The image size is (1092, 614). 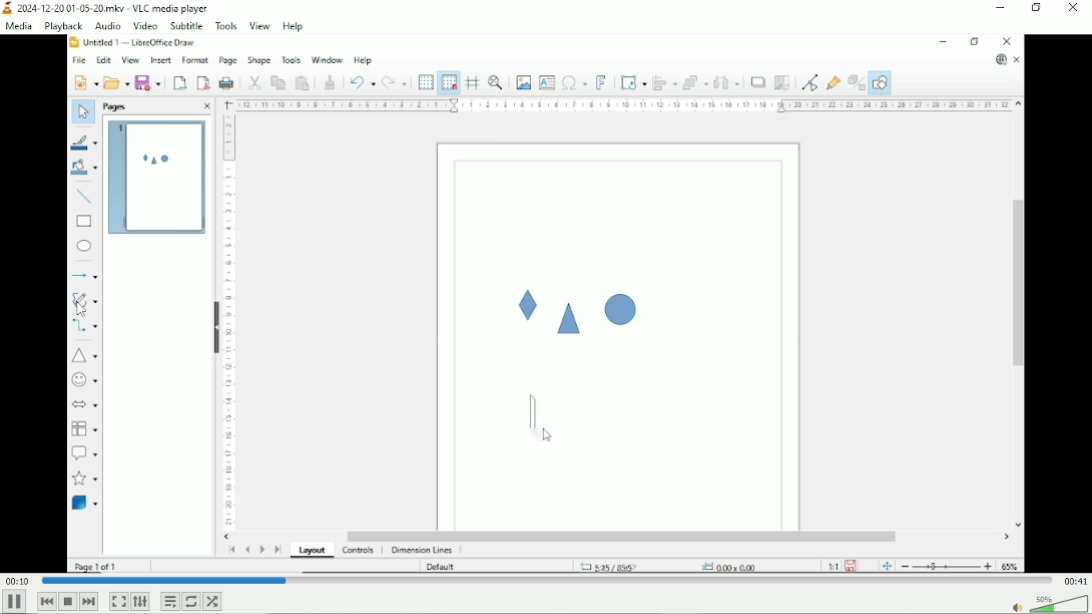 I want to click on Toggle video in fullscreen, so click(x=117, y=601).